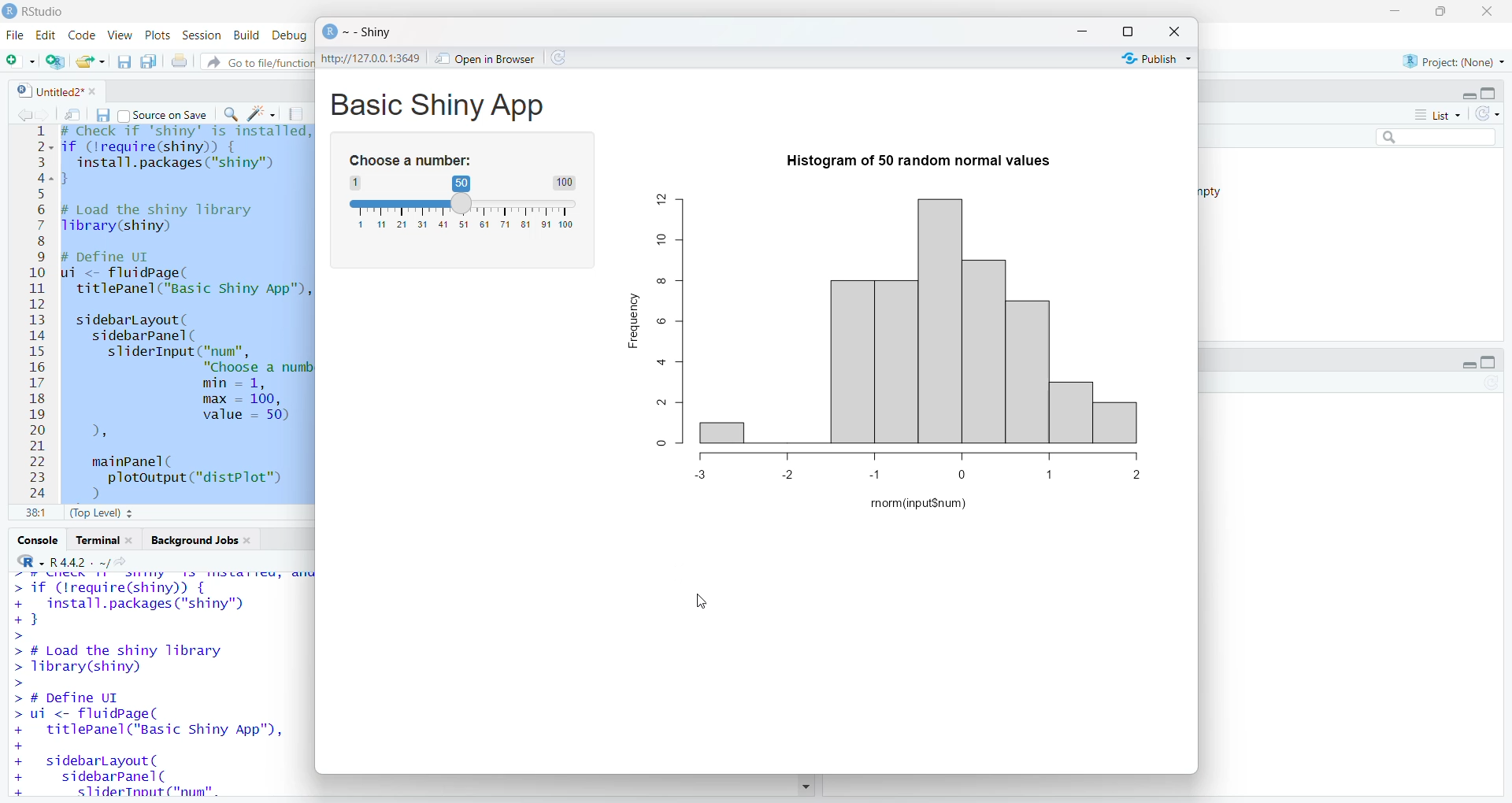 This screenshot has height=803, width=1512. I want to click on >

> # Load the shiny library
> Tibrary(shiny)

>, so click(124, 658).